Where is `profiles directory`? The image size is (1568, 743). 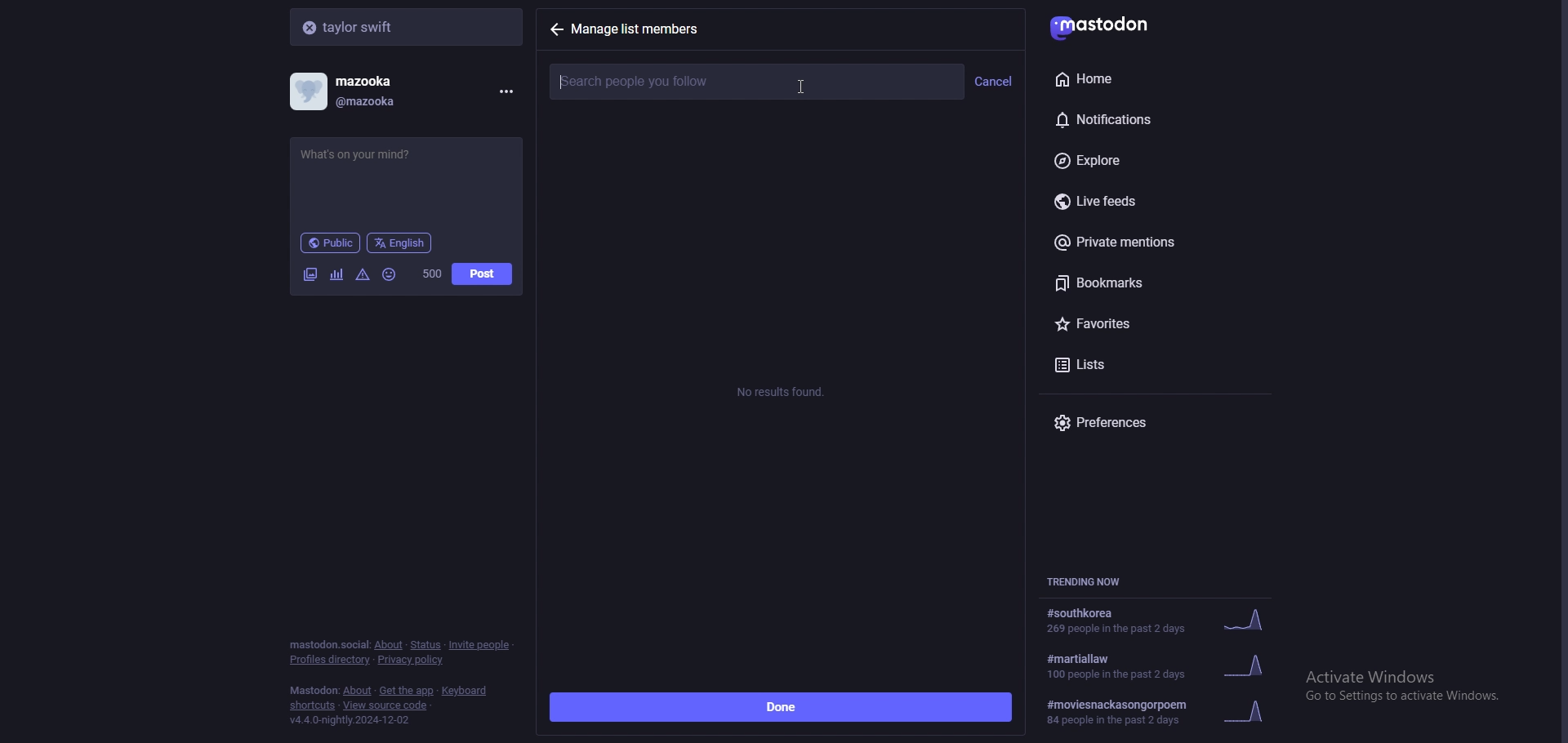 profiles directory is located at coordinates (331, 661).